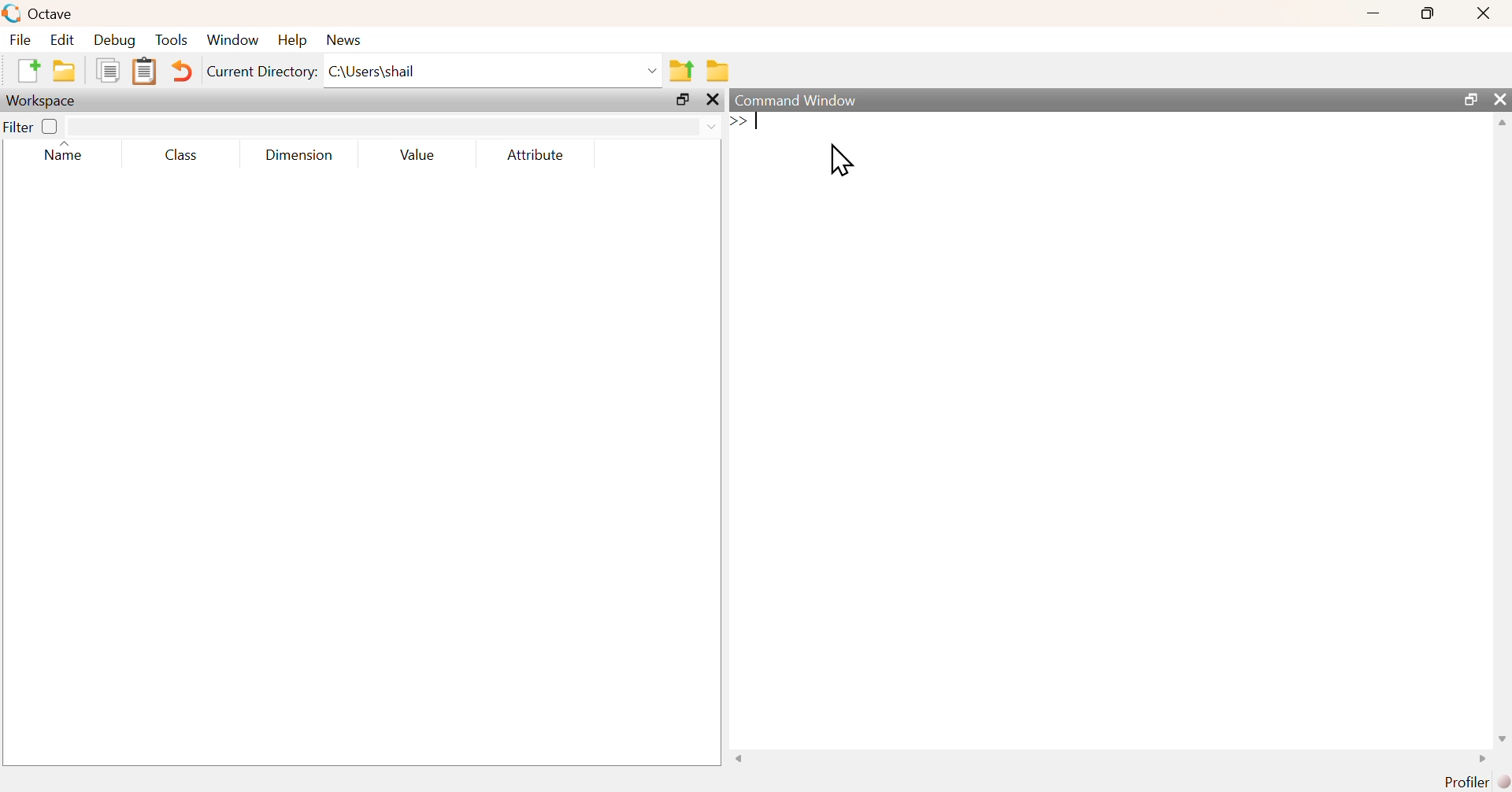 This screenshot has height=792, width=1512. Describe the element at coordinates (346, 39) in the screenshot. I see `News` at that location.